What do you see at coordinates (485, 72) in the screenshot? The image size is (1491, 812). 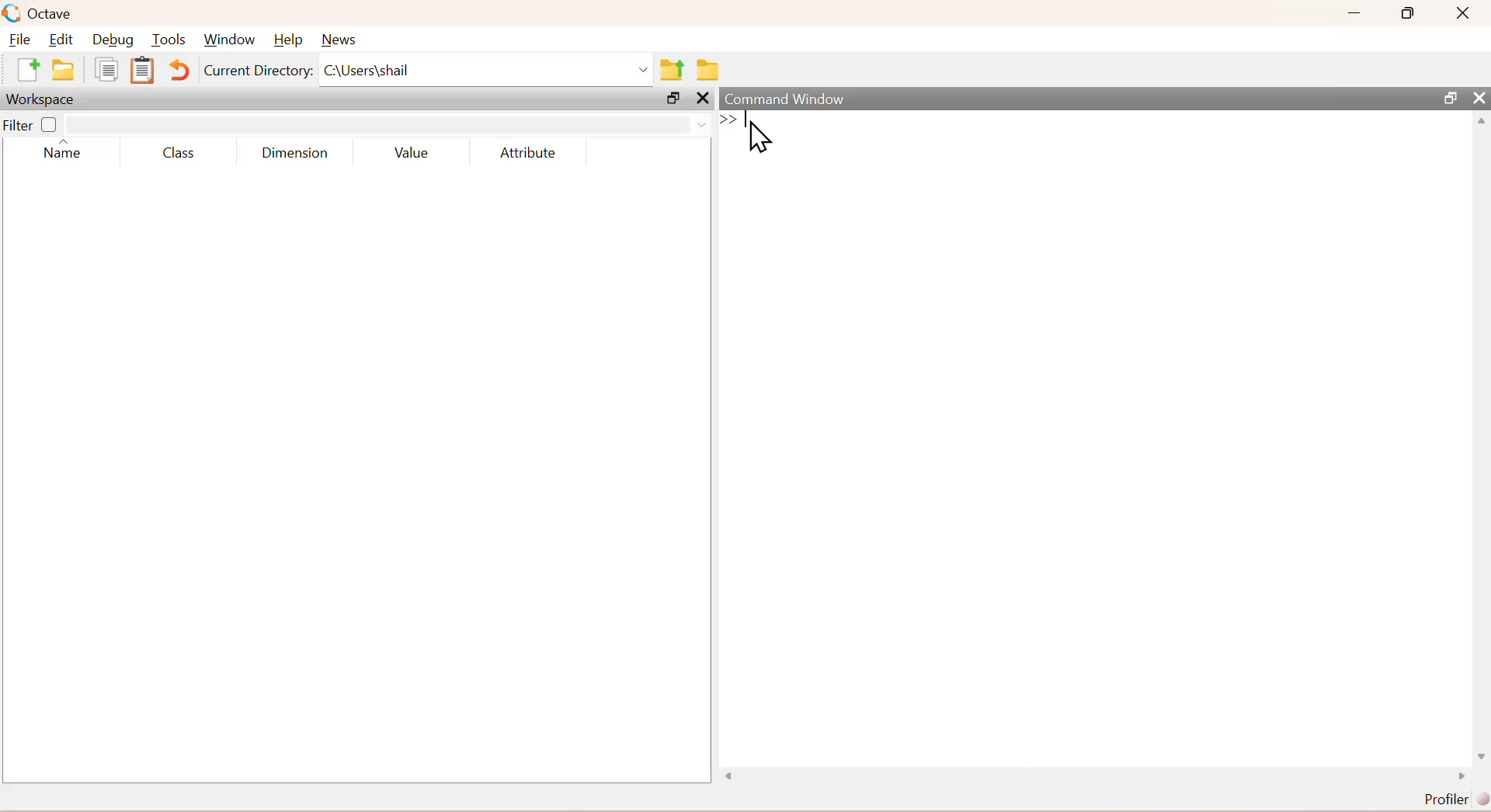 I see `C:/Users/Shail` at bounding box center [485, 72].